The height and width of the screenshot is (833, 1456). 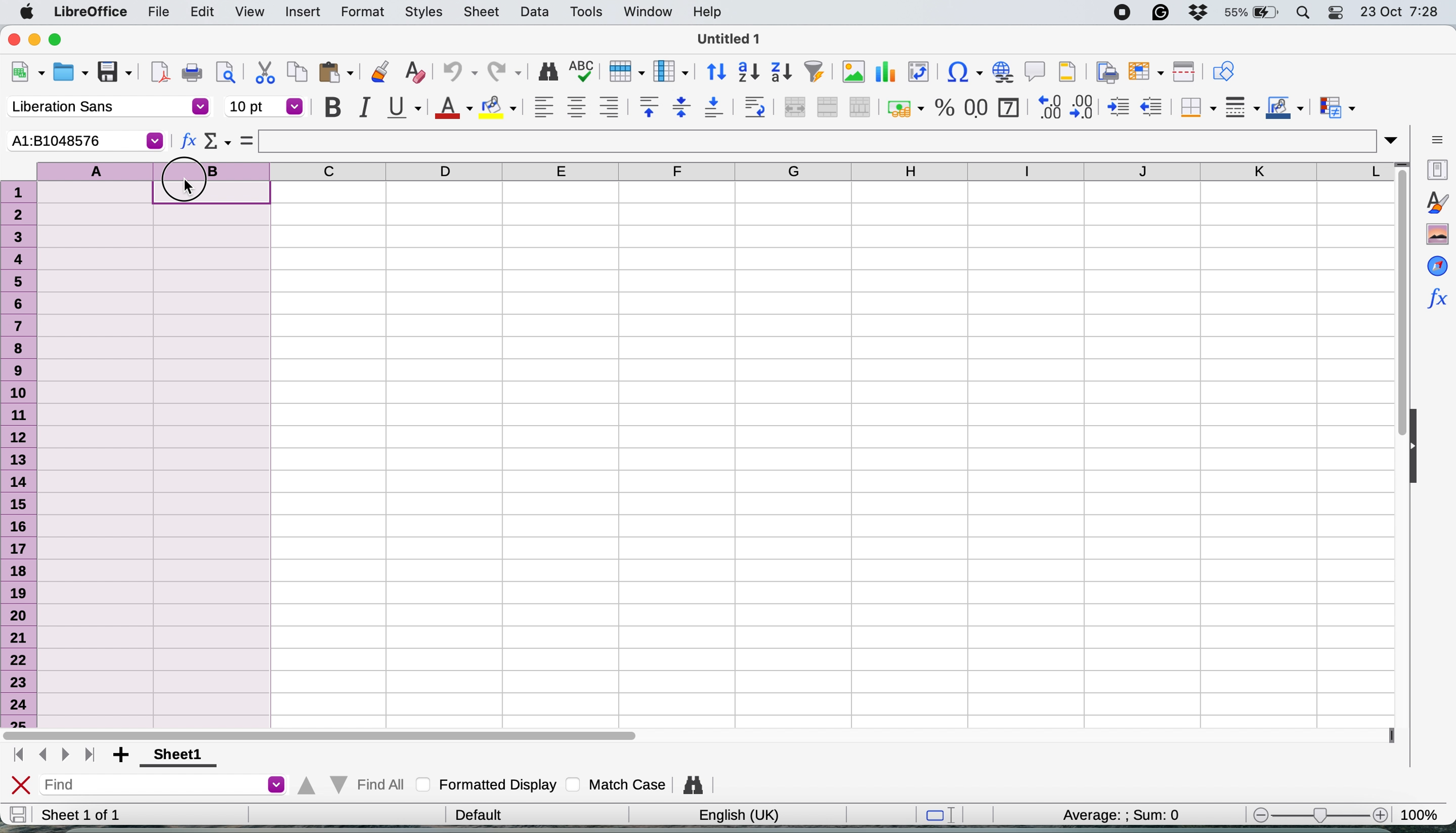 What do you see at coordinates (541, 106) in the screenshot?
I see `align left` at bounding box center [541, 106].